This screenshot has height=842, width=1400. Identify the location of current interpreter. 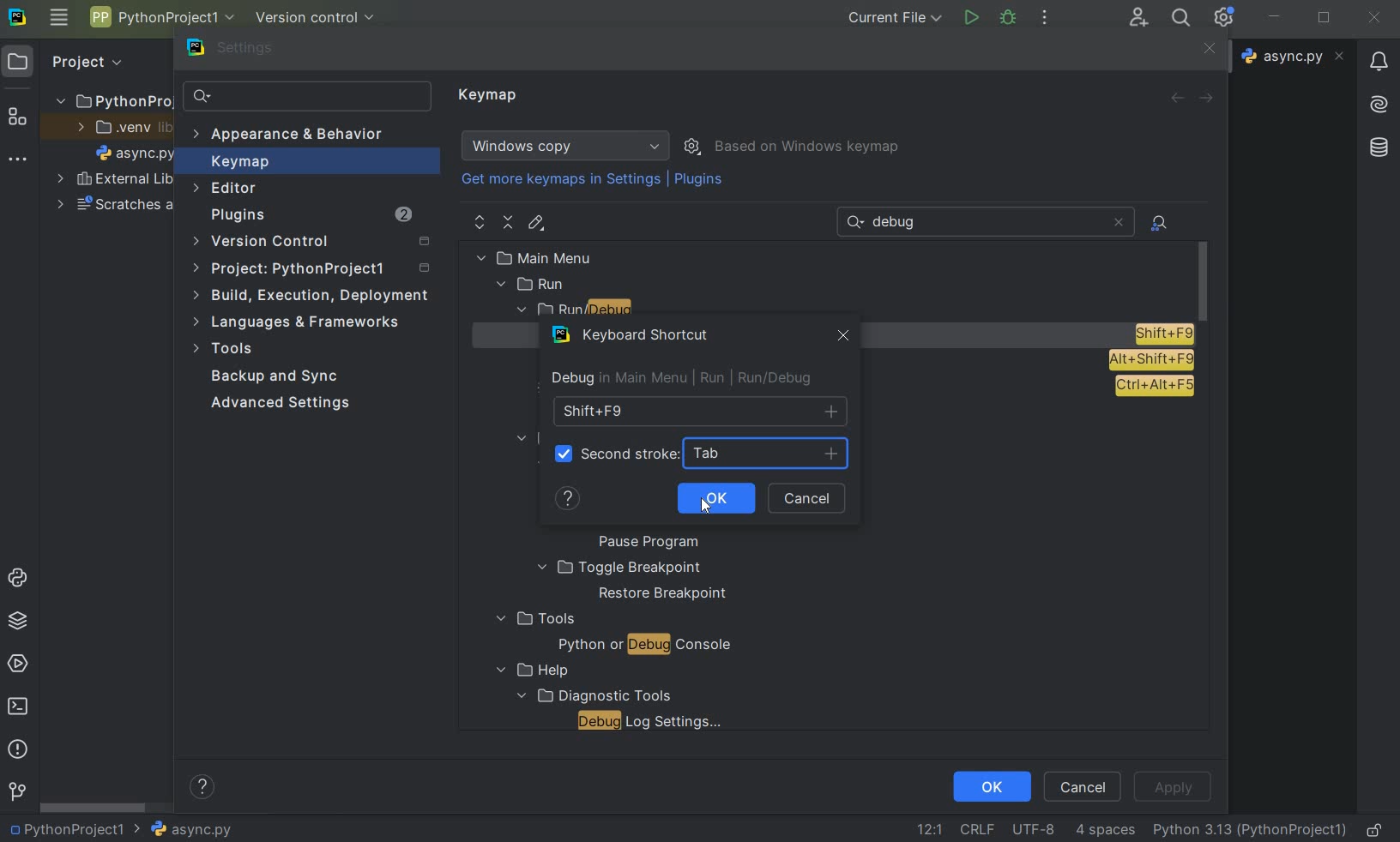
(1251, 829).